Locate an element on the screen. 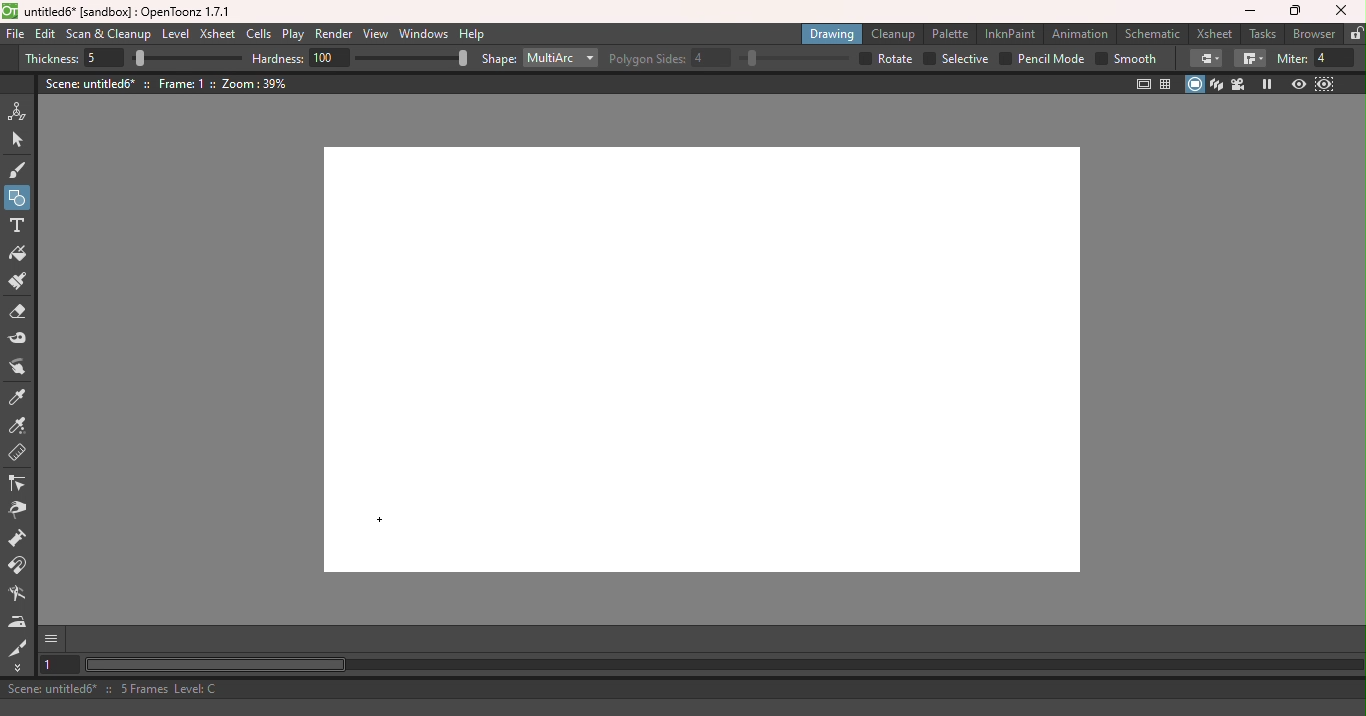  Thickness bar is located at coordinates (186, 57).